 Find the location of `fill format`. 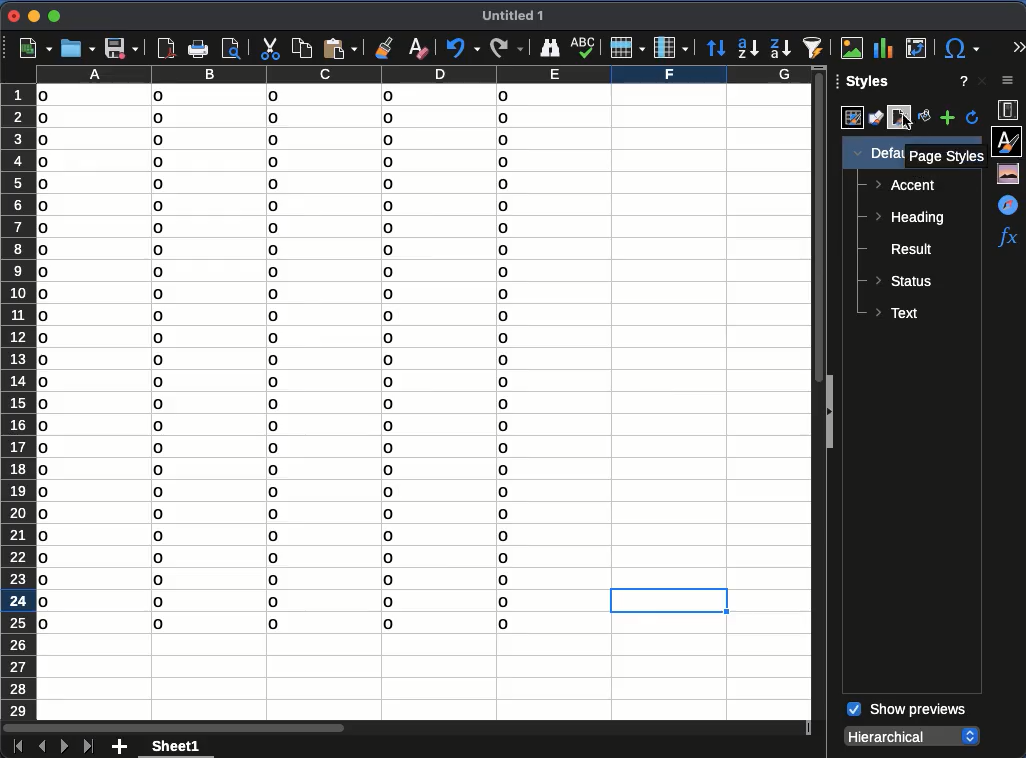

fill format is located at coordinates (923, 118).